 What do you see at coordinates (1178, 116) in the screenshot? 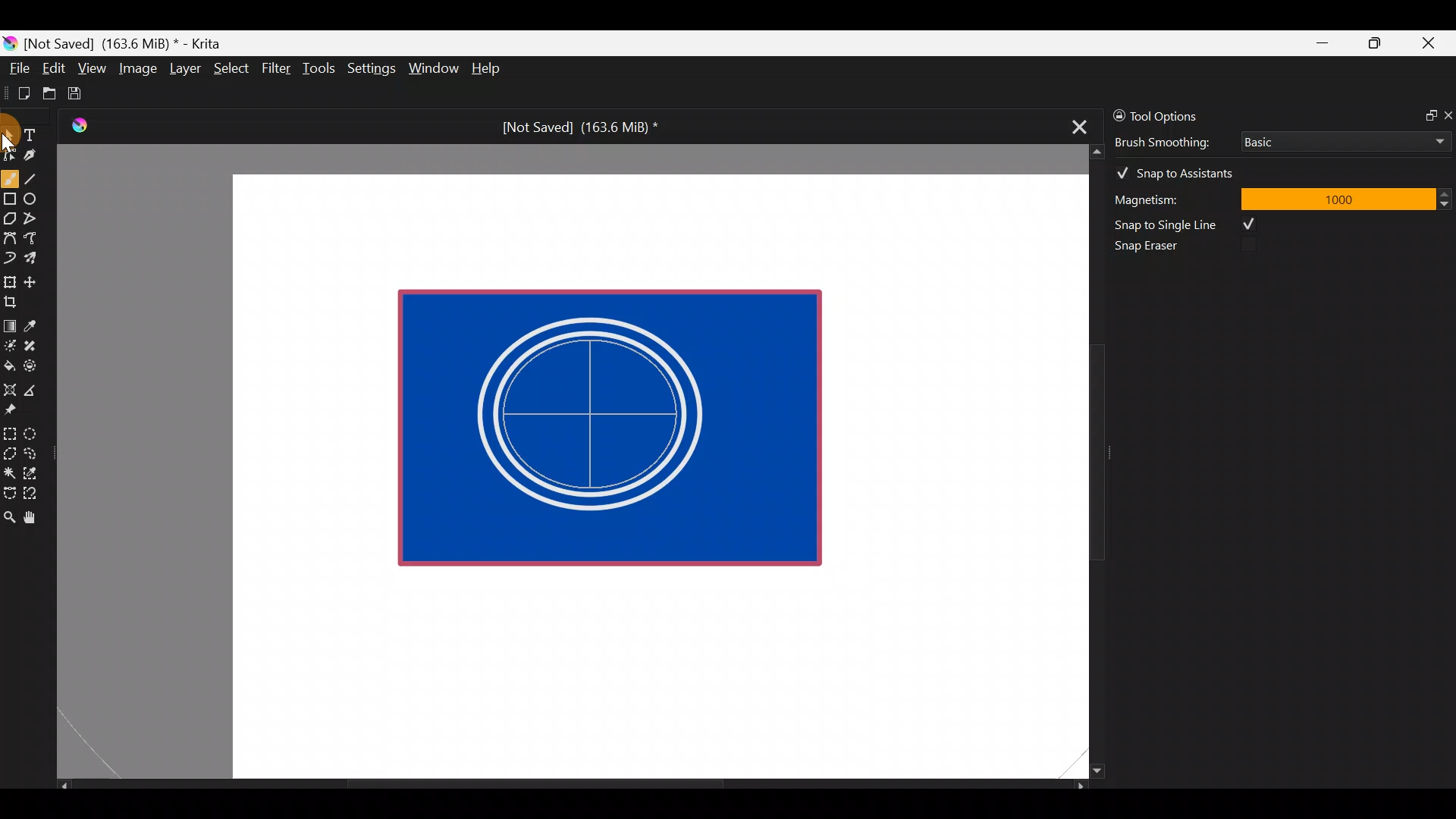
I see `Tool options` at bounding box center [1178, 116].